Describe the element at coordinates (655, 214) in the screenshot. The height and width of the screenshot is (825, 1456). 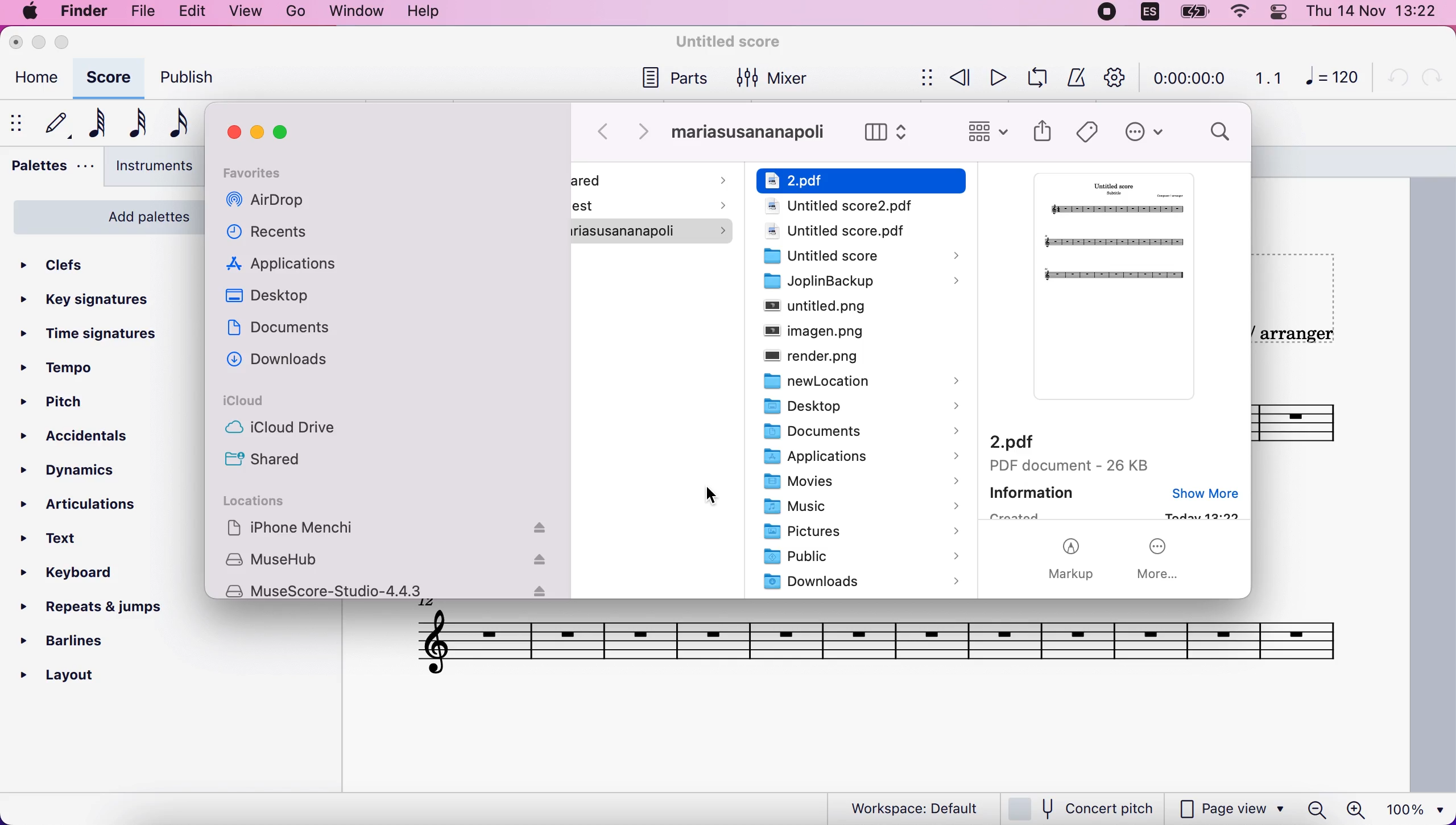
I see `folders` at that location.